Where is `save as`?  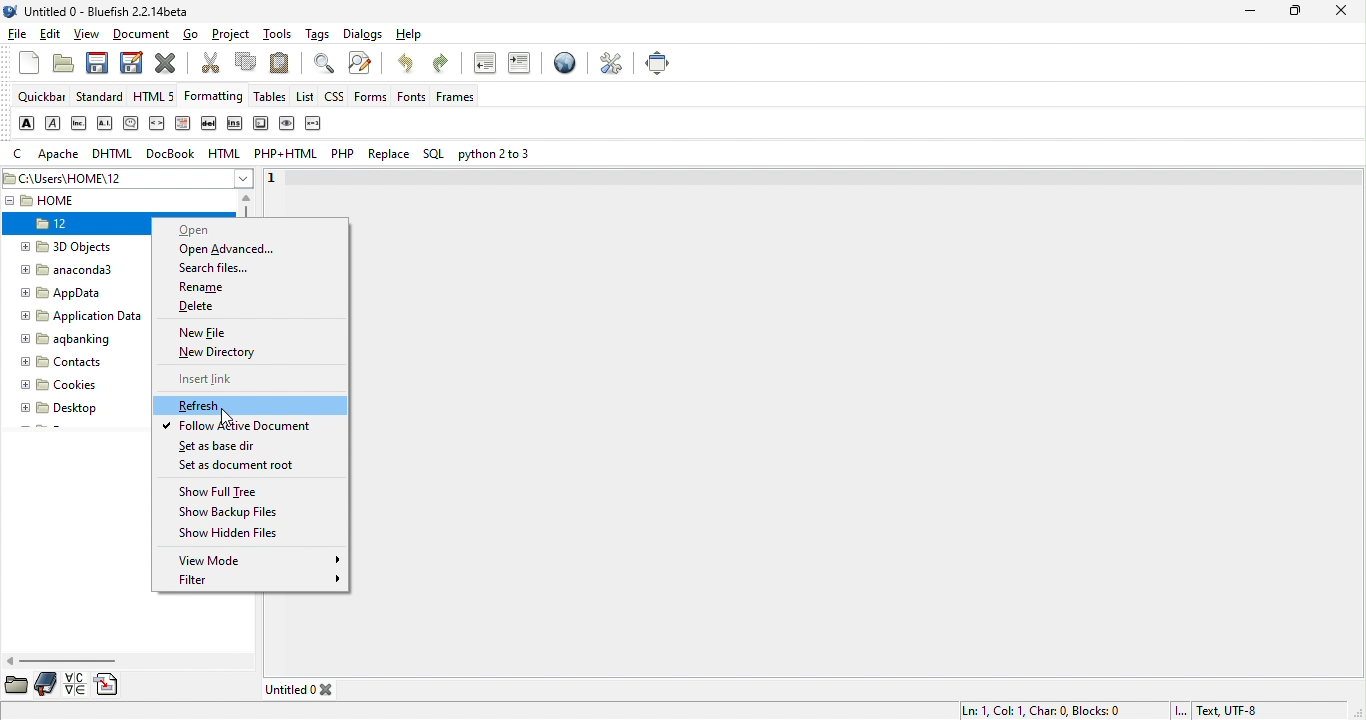 save as is located at coordinates (132, 66).